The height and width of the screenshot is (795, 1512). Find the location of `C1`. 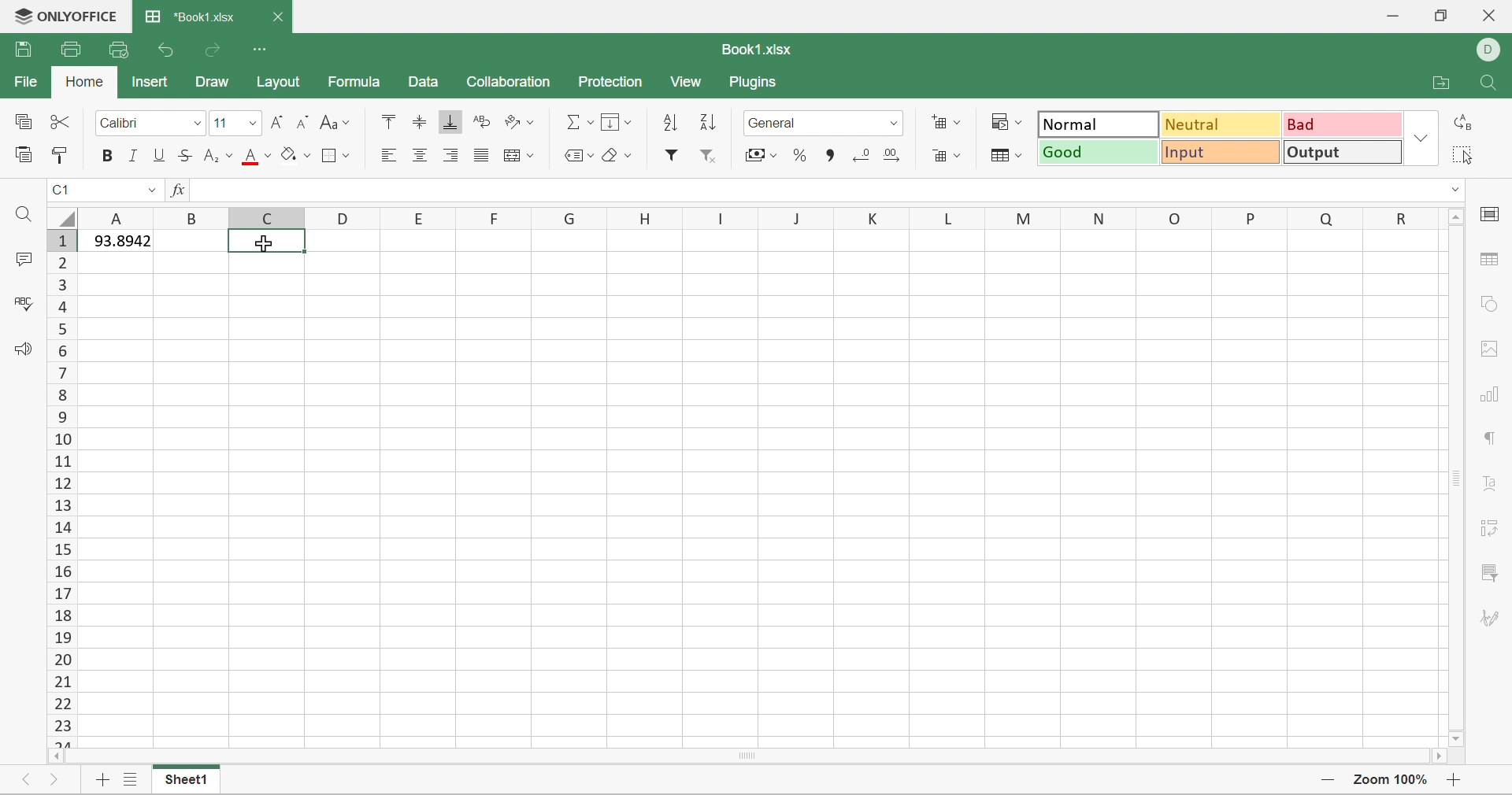

C1 is located at coordinates (65, 188).